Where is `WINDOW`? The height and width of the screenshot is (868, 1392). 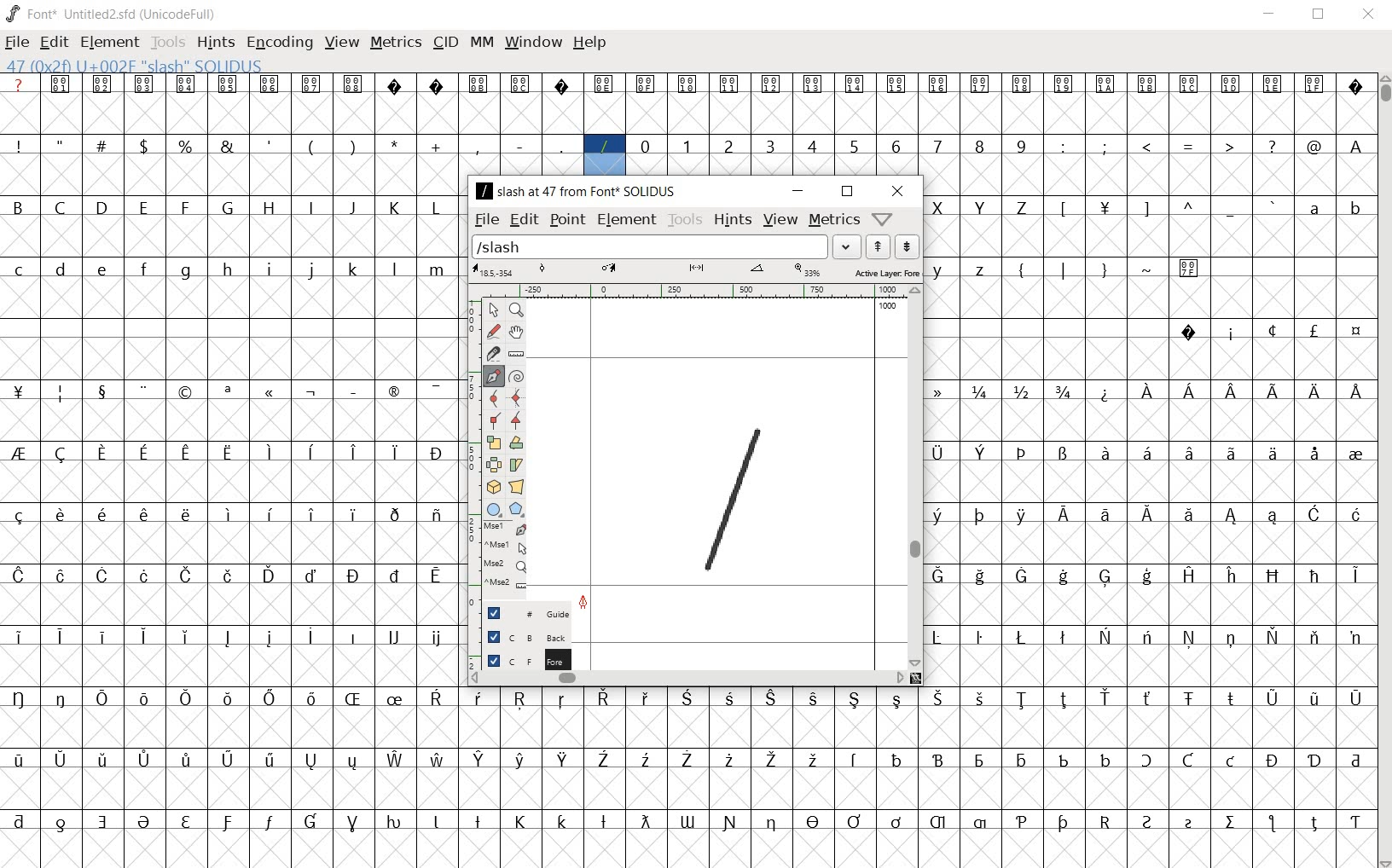 WINDOW is located at coordinates (531, 43).